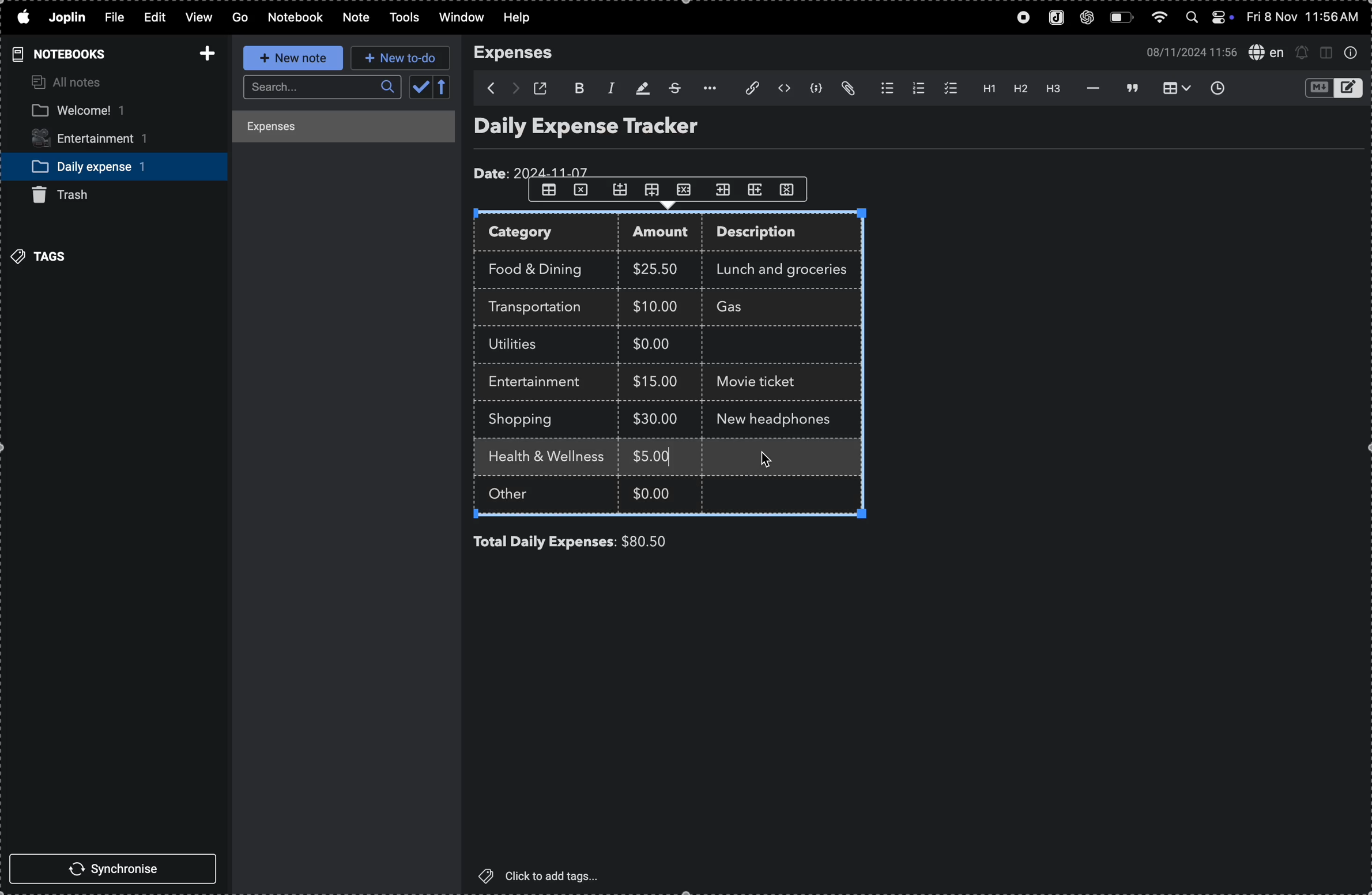 The height and width of the screenshot is (895, 1372). What do you see at coordinates (544, 88) in the screenshot?
I see `open window` at bounding box center [544, 88].